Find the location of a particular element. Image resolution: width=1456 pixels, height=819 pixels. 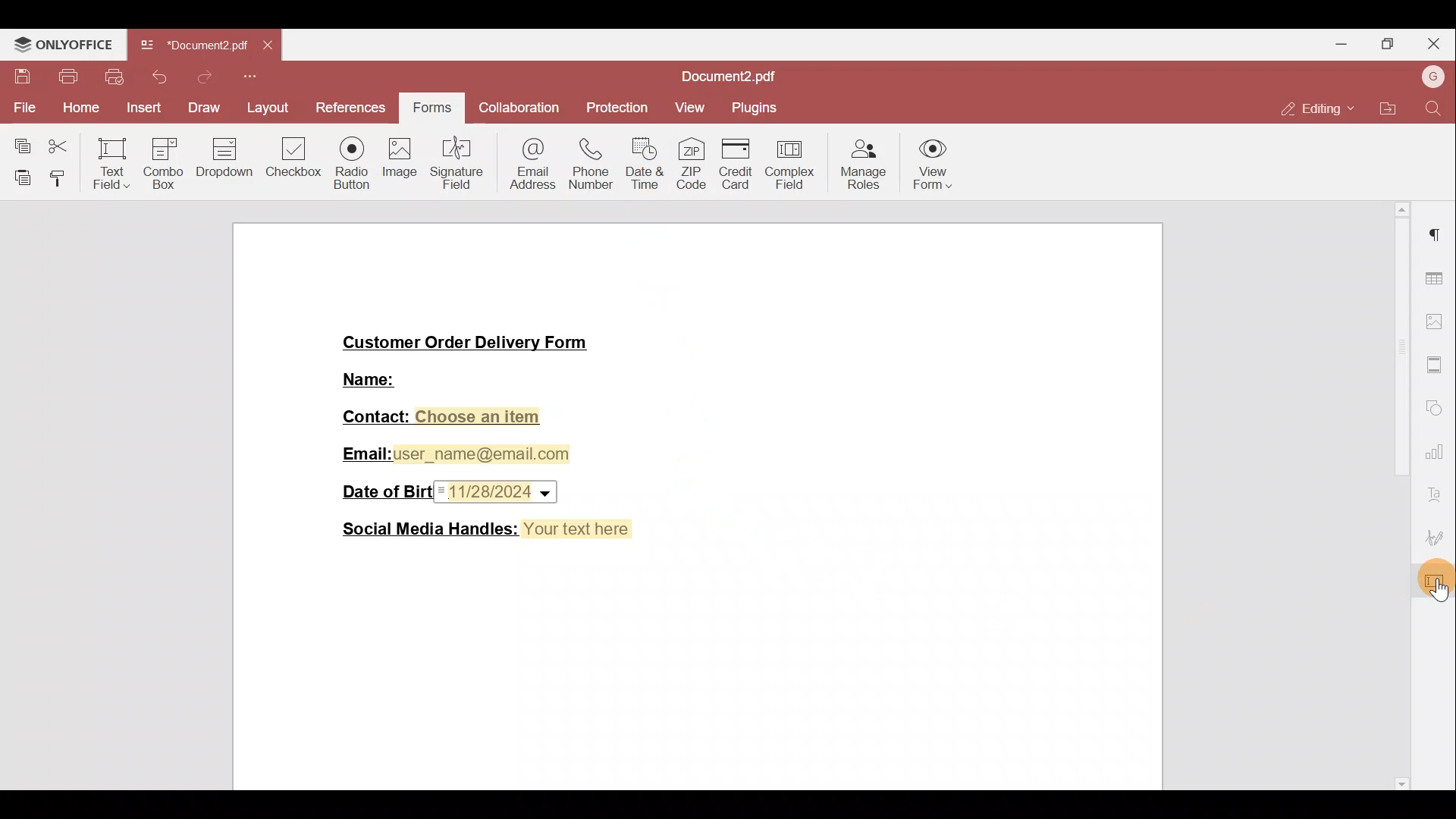

More is located at coordinates (253, 78).